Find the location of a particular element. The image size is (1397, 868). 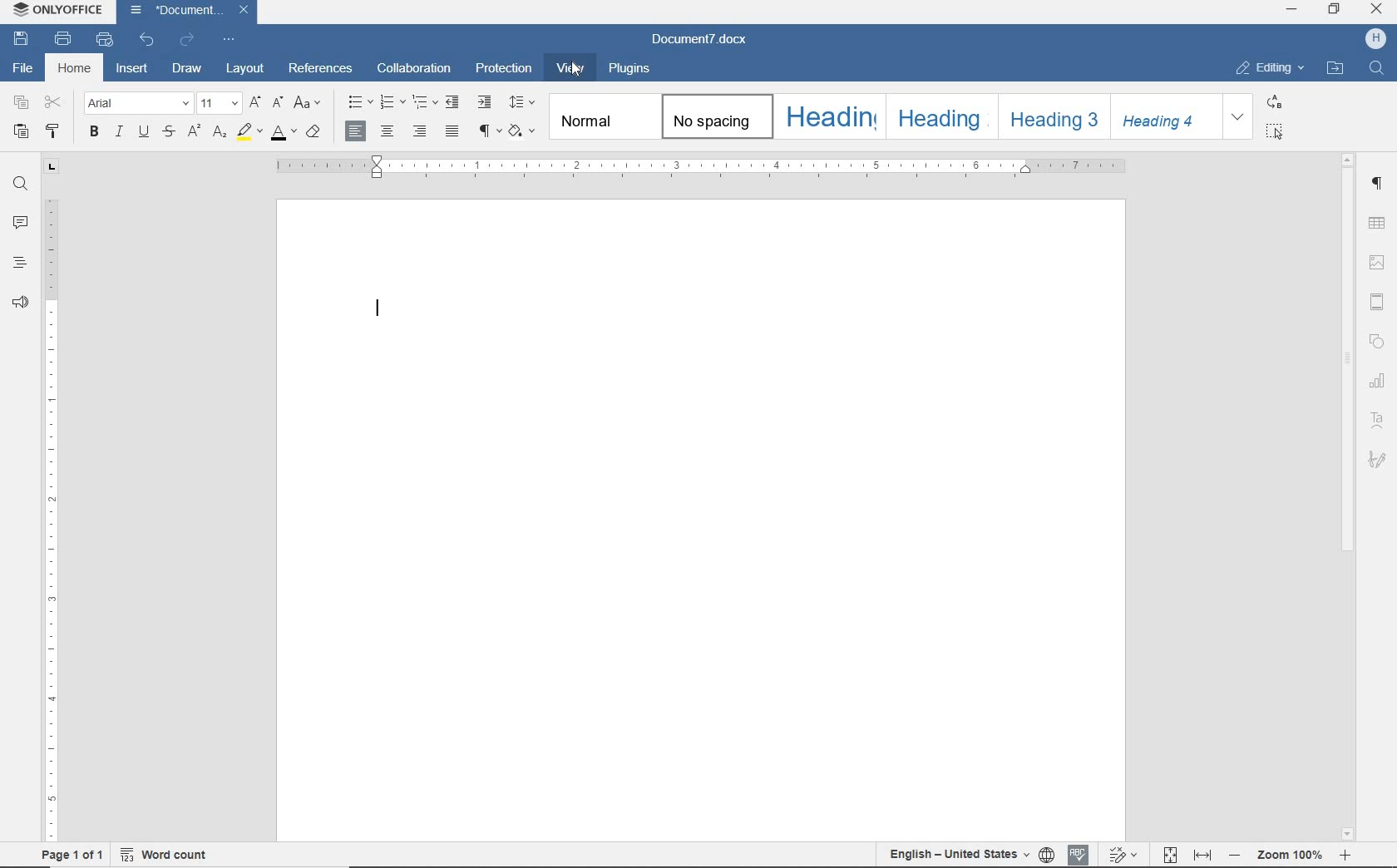

SAVE is located at coordinates (21, 39).